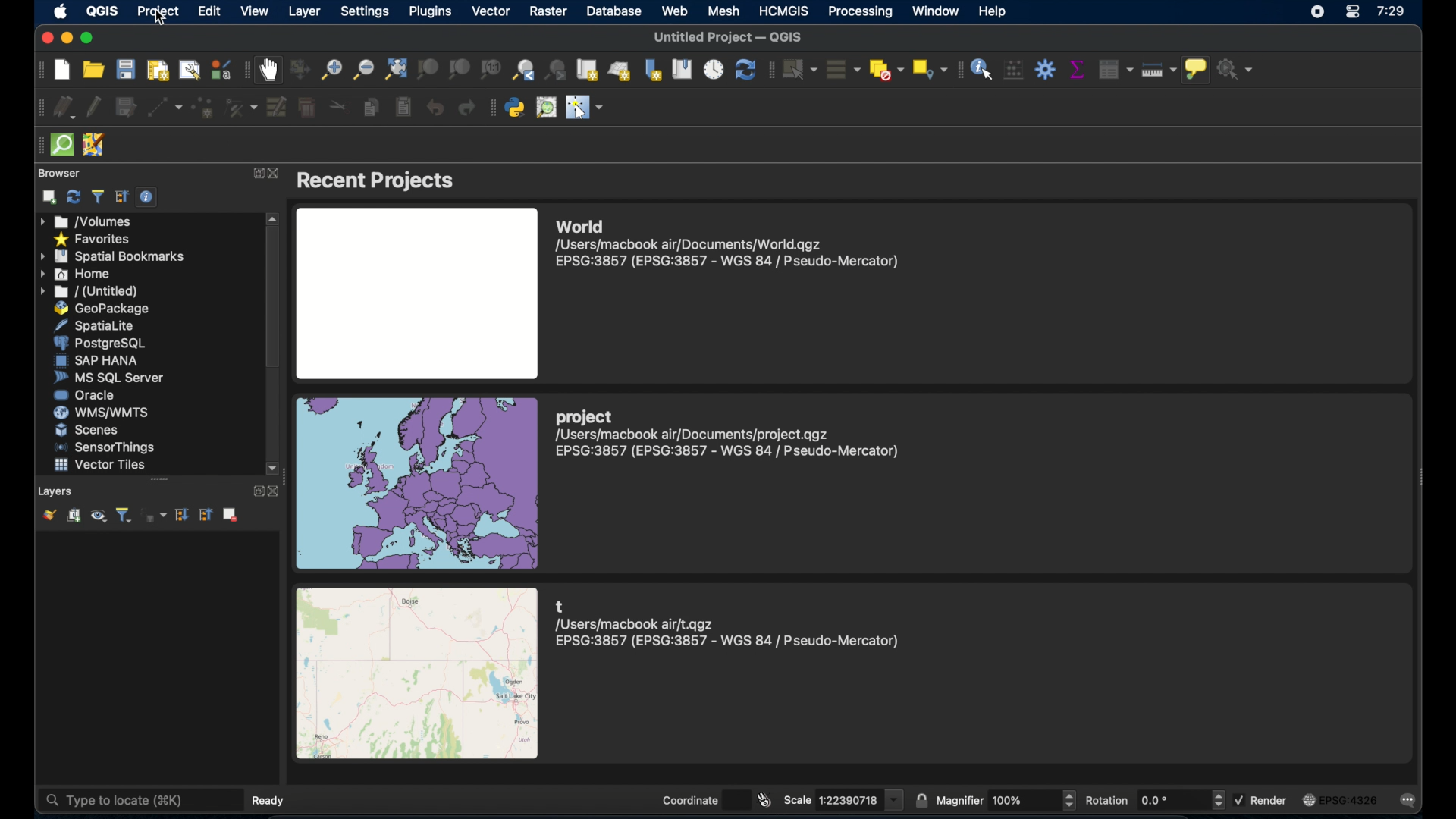 Image resolution: width=1456 pixels, height=819 pixels. What do you see at coordinates (149, 199) in the screenshot?
I see `enable/disable properties widget` at bounding box center [149, 199].